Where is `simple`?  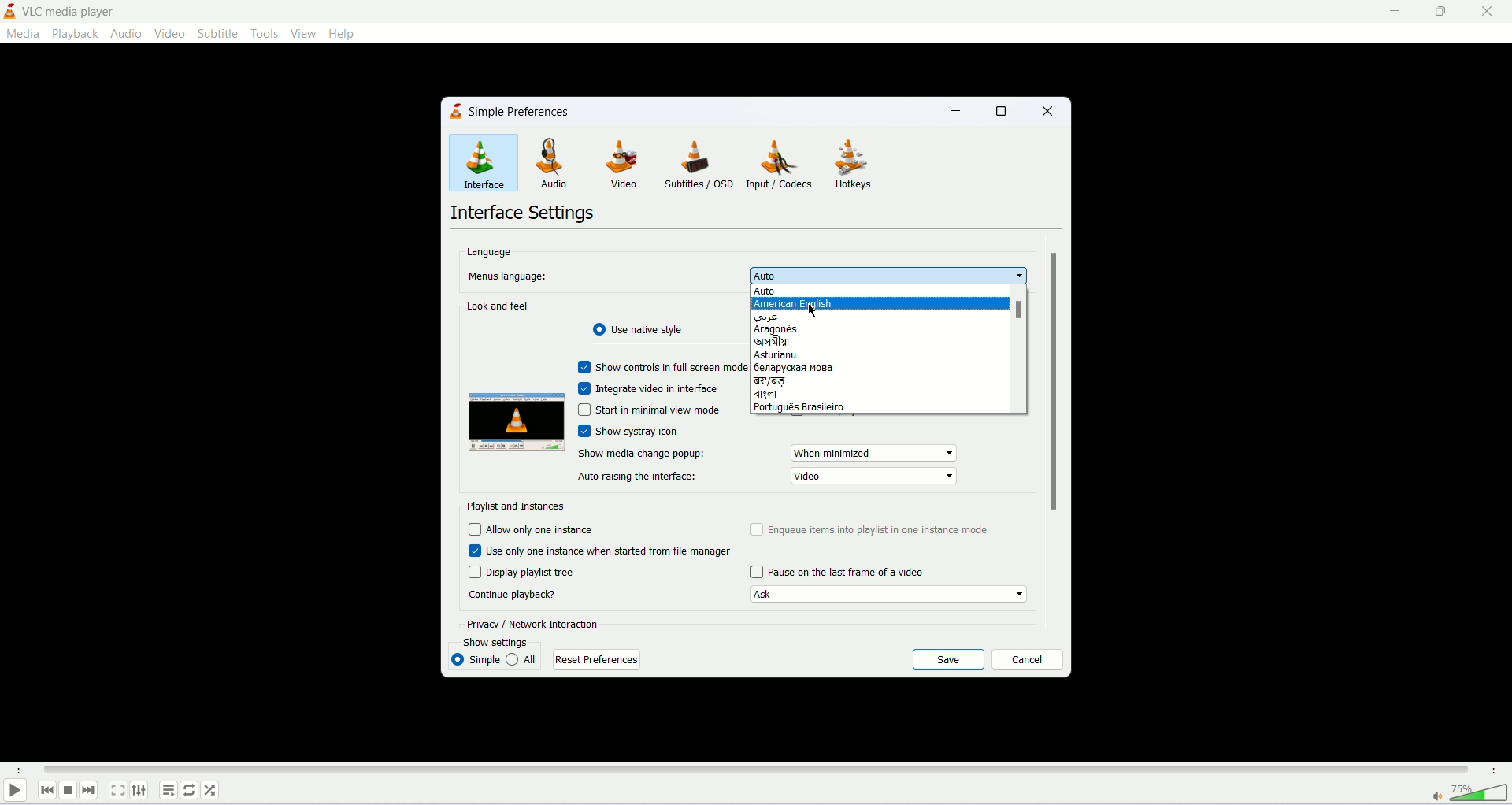 simple is located at coordinates (475, 659).